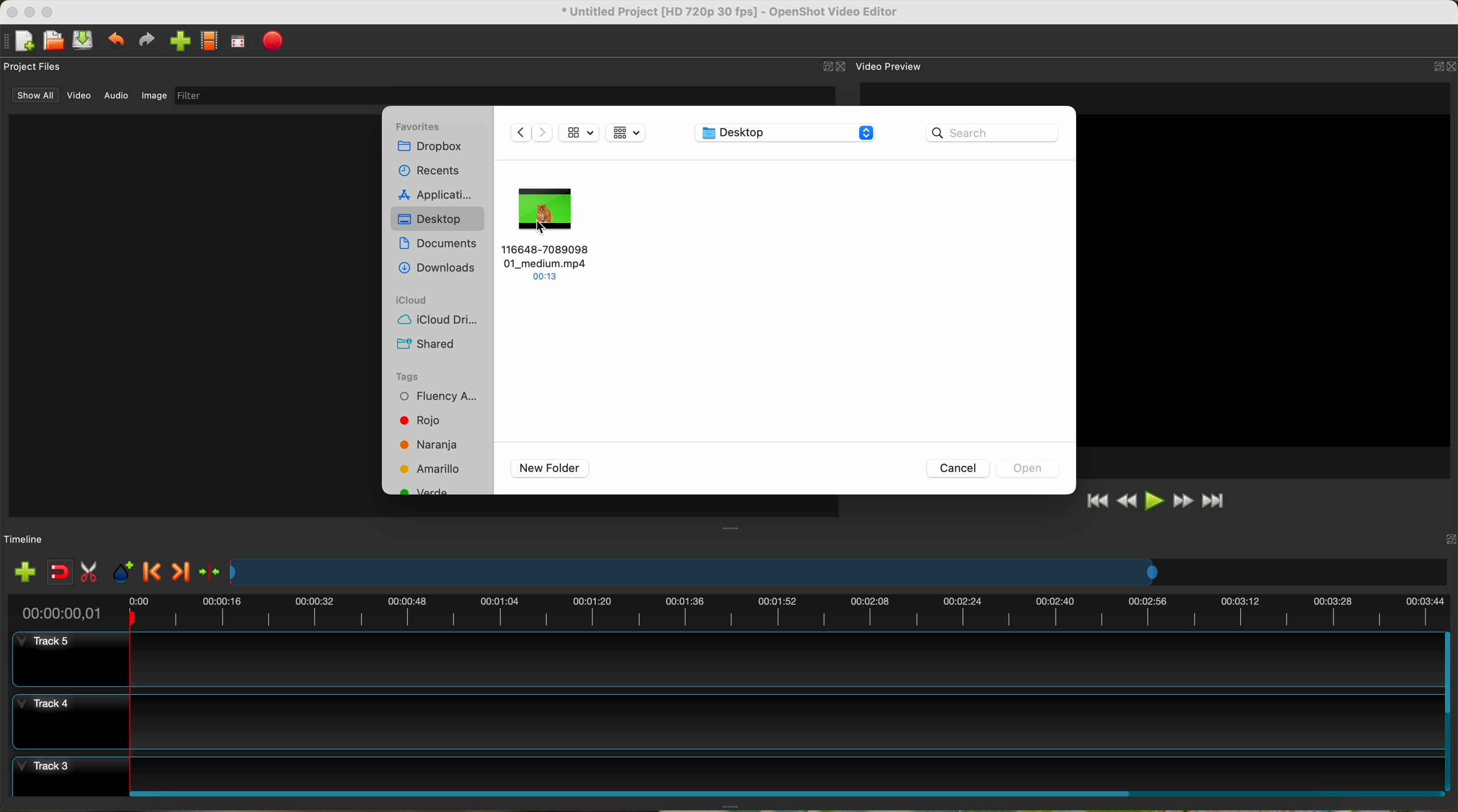 The image size is (1458, 812). What do you see at coordinates (433, 170) in the screenshot?
I see `recents` at bounding box center [433, 170].